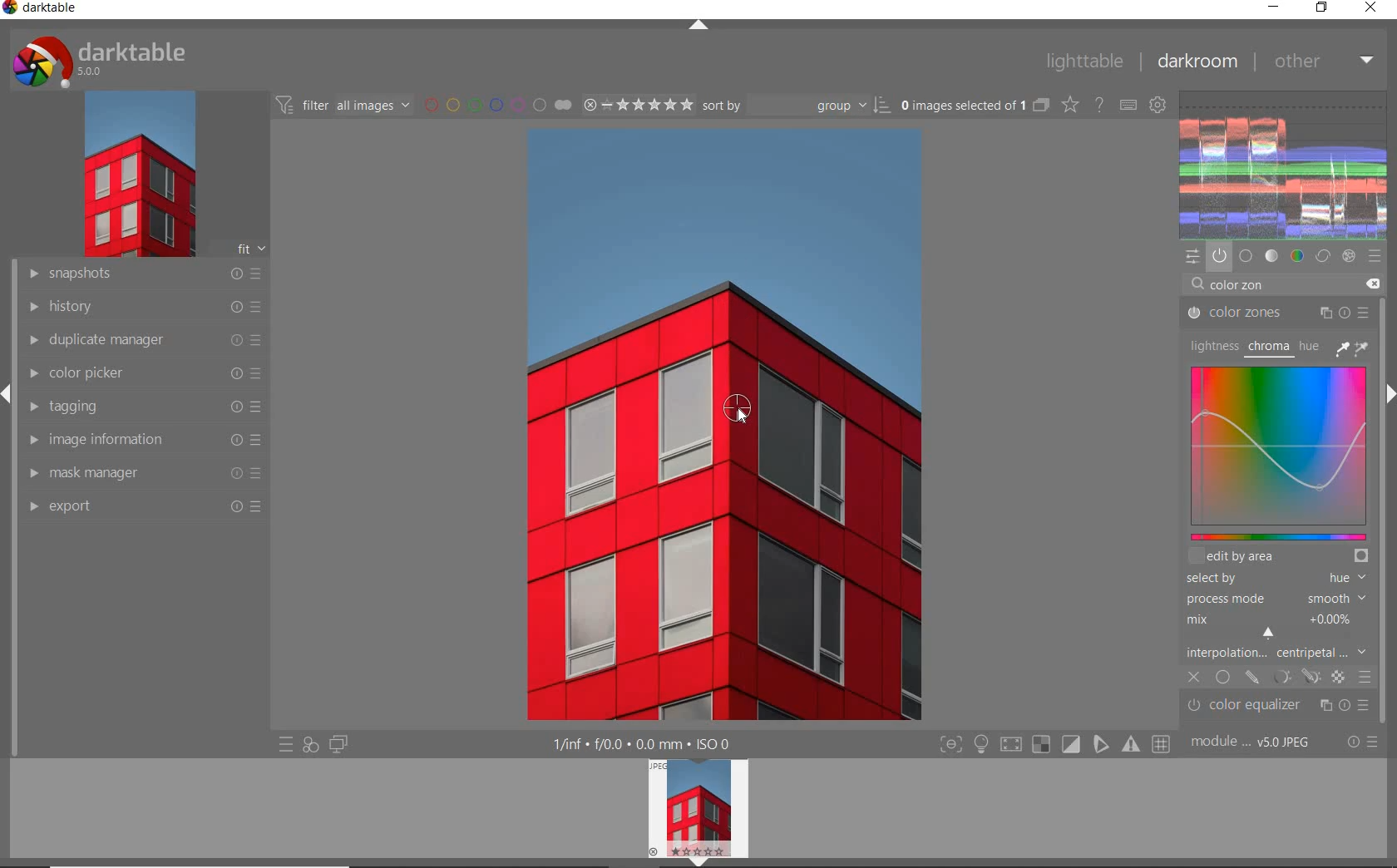 The image size is (1397, 868). What do you see at coordinates (694, 807) in the screenshot?
I see `image preview` at bounding box center [694, 807].